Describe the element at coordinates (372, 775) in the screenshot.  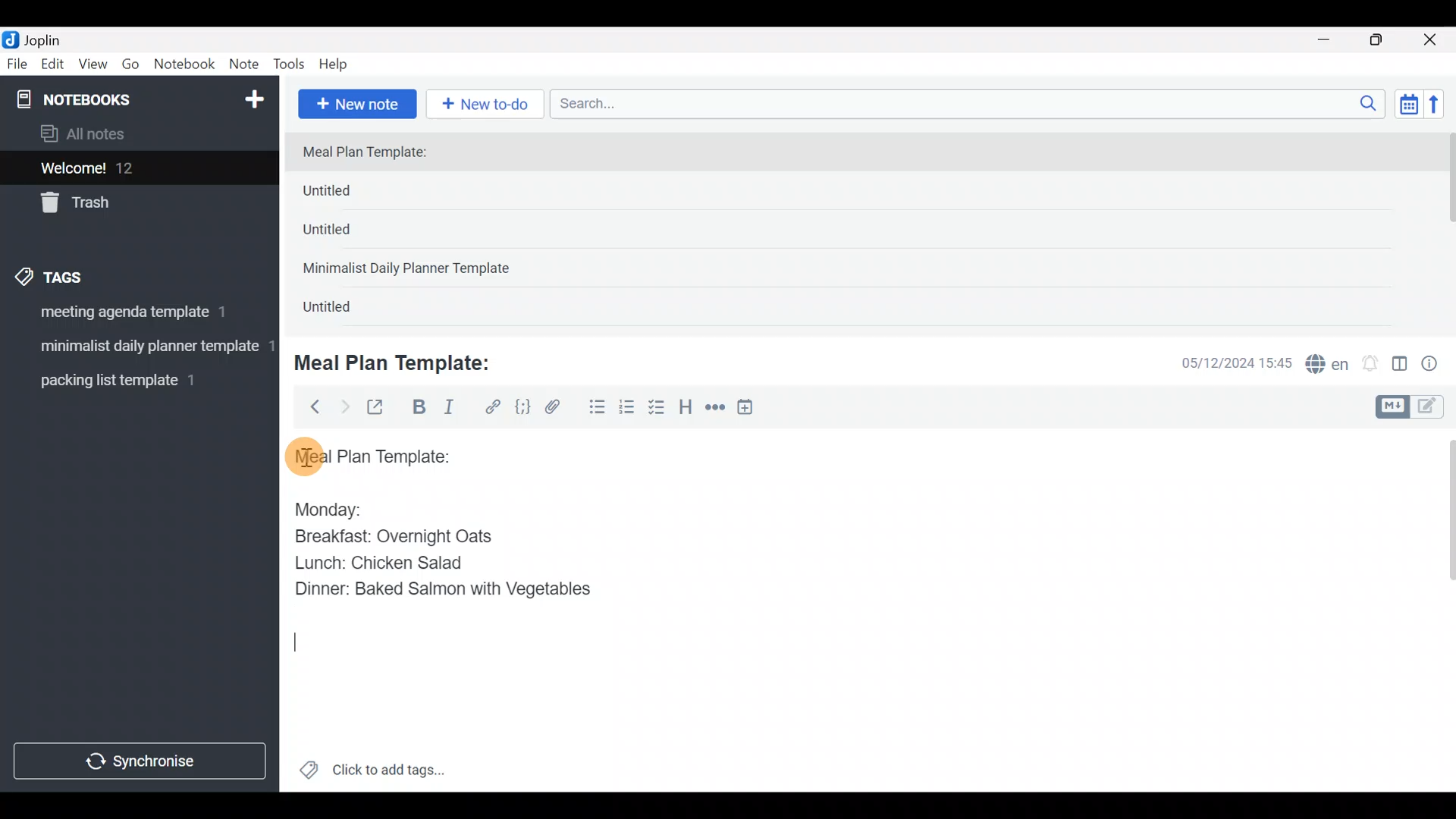
I see `Click to add tags` at that location.